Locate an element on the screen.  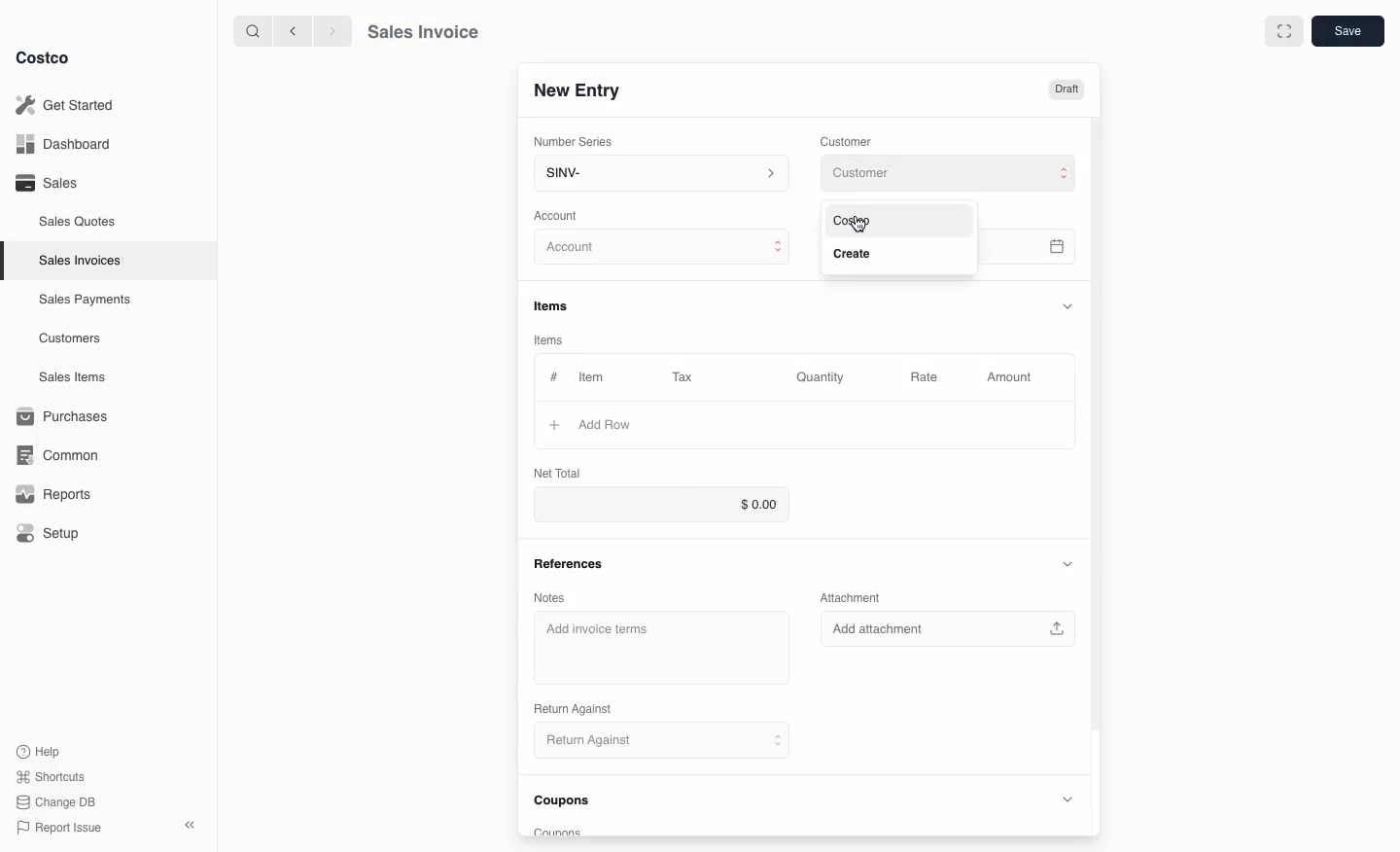
Reports is located at coordinates (51, 494).